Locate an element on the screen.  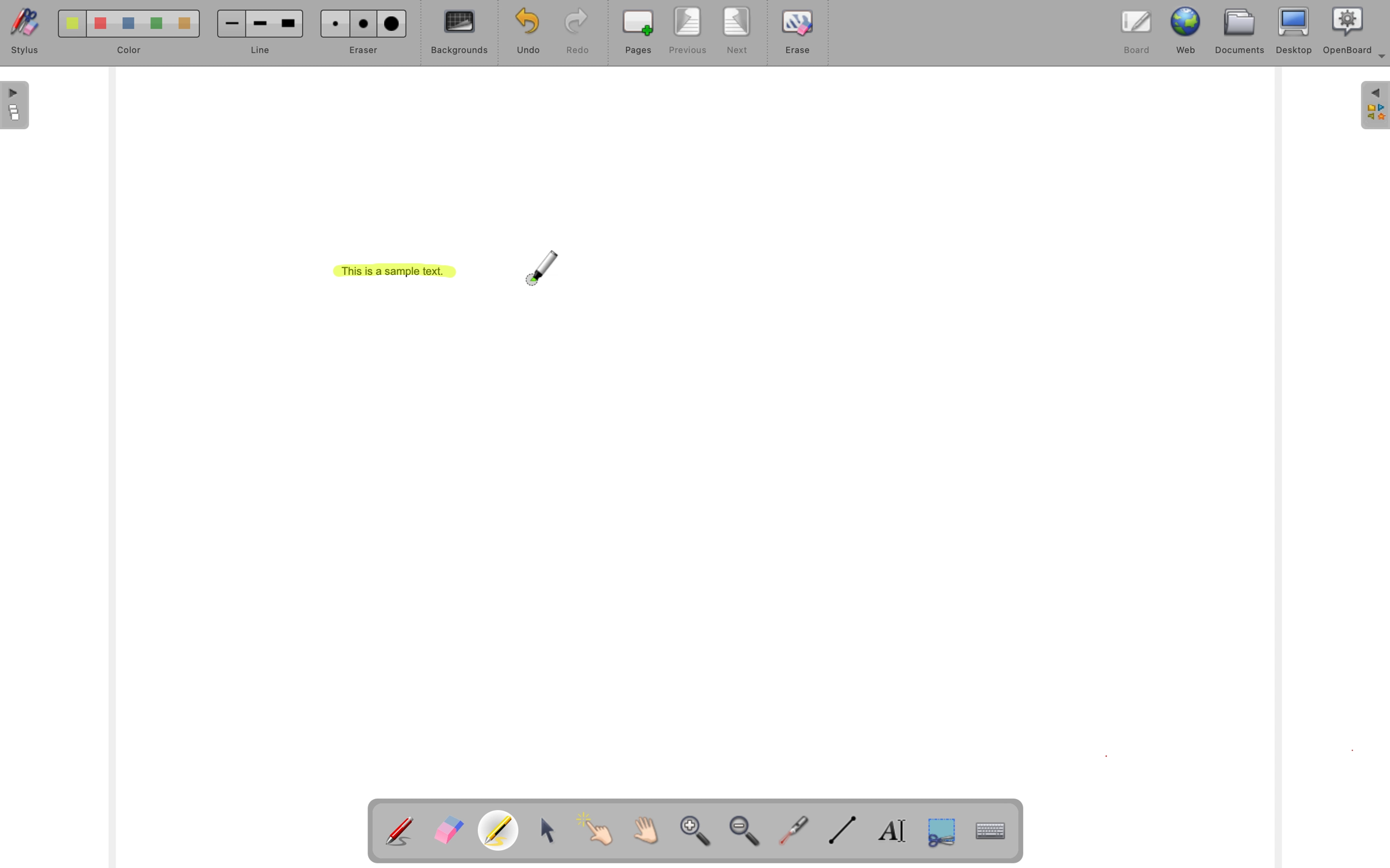
documents is located at coordinates (1240, 33).